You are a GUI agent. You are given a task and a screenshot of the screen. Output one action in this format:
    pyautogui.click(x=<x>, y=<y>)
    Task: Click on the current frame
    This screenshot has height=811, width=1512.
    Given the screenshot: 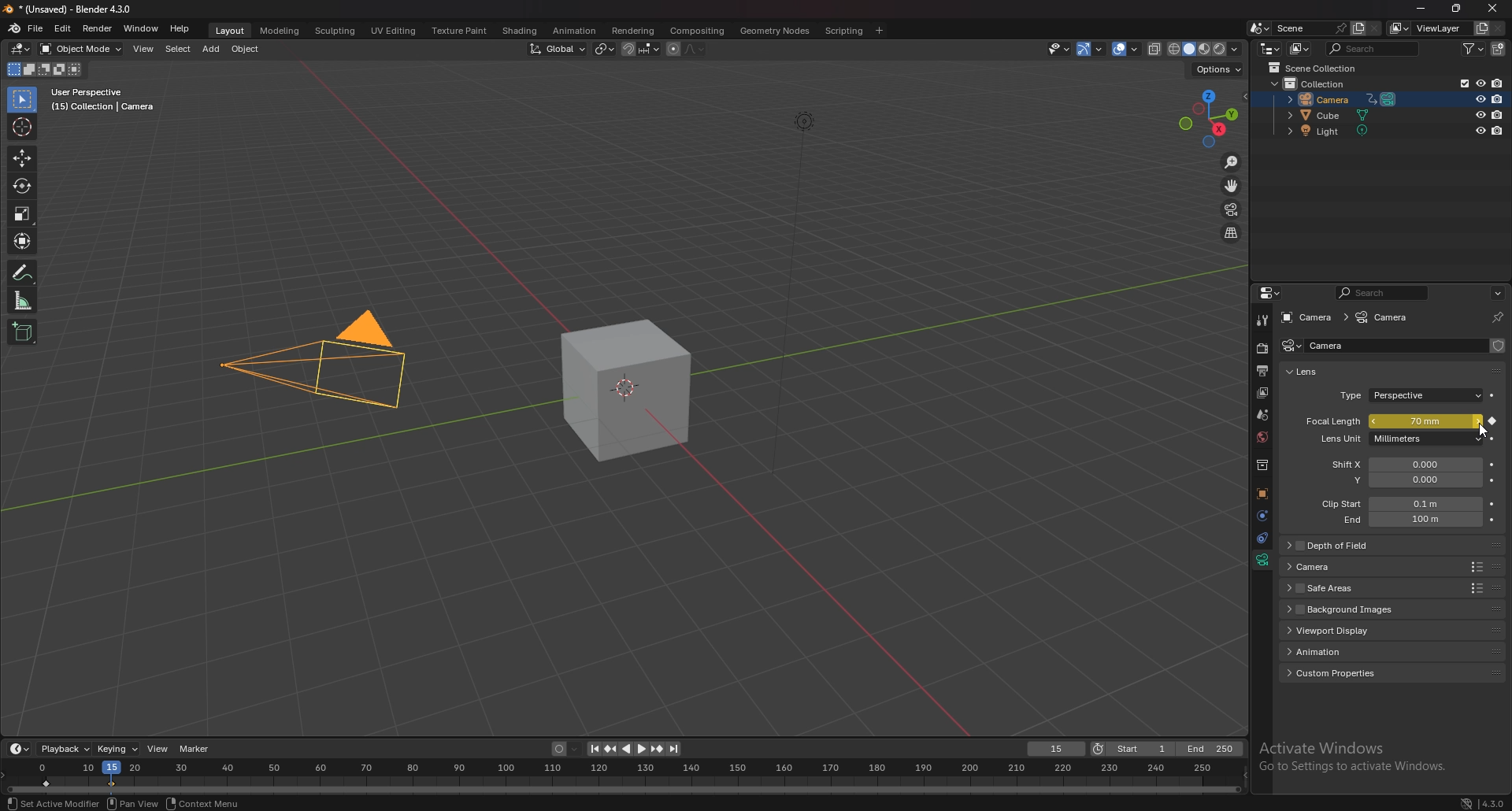 What is the action you would take?
    pyautogui.click(x=1056, y=750)
    